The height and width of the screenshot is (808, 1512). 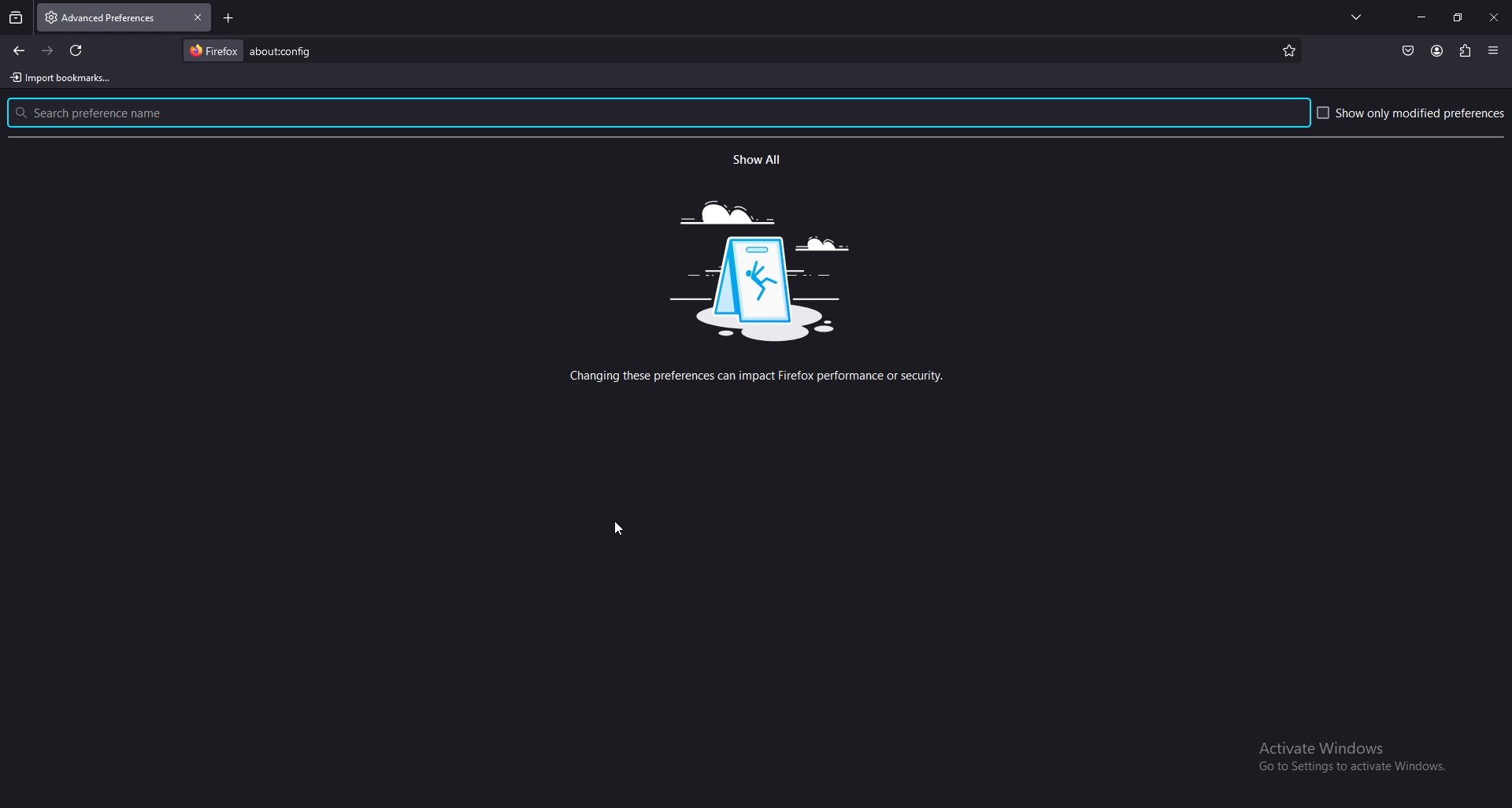 I want to click on mark as favorite, so click(x=1289, y=53).